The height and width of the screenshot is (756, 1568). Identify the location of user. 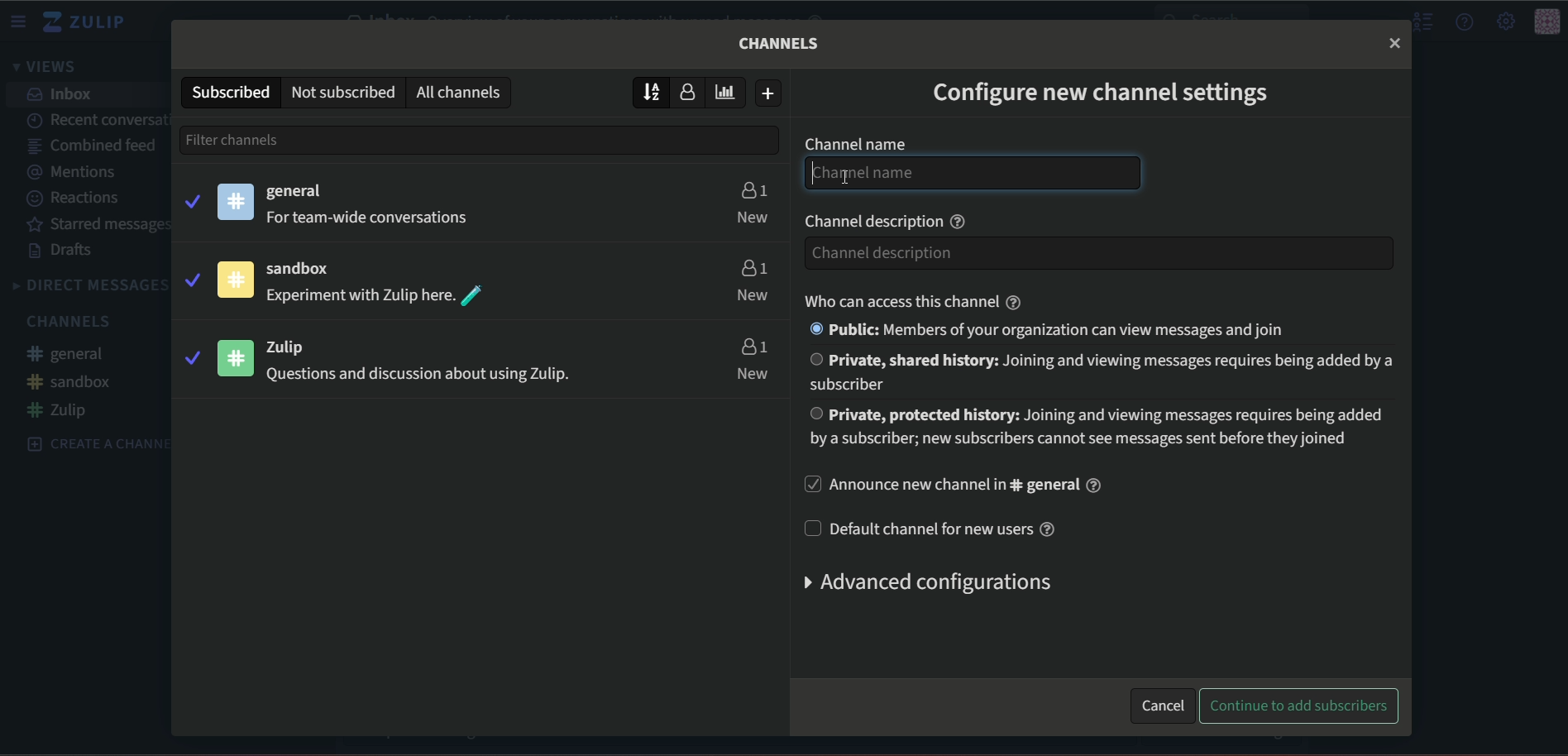
(692, 93).